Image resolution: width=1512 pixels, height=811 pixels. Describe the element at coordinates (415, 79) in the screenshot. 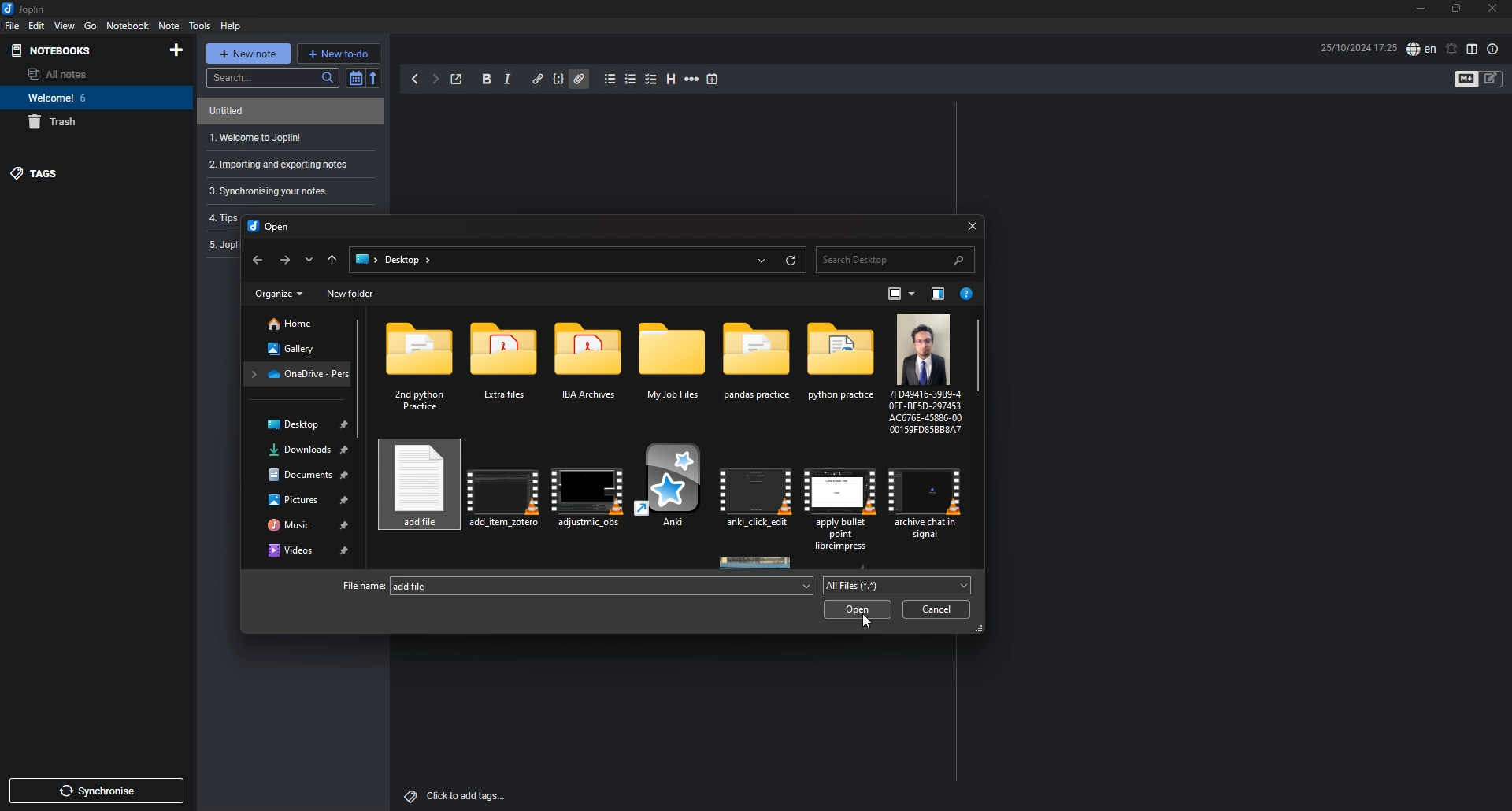

I see `backward` at that location.